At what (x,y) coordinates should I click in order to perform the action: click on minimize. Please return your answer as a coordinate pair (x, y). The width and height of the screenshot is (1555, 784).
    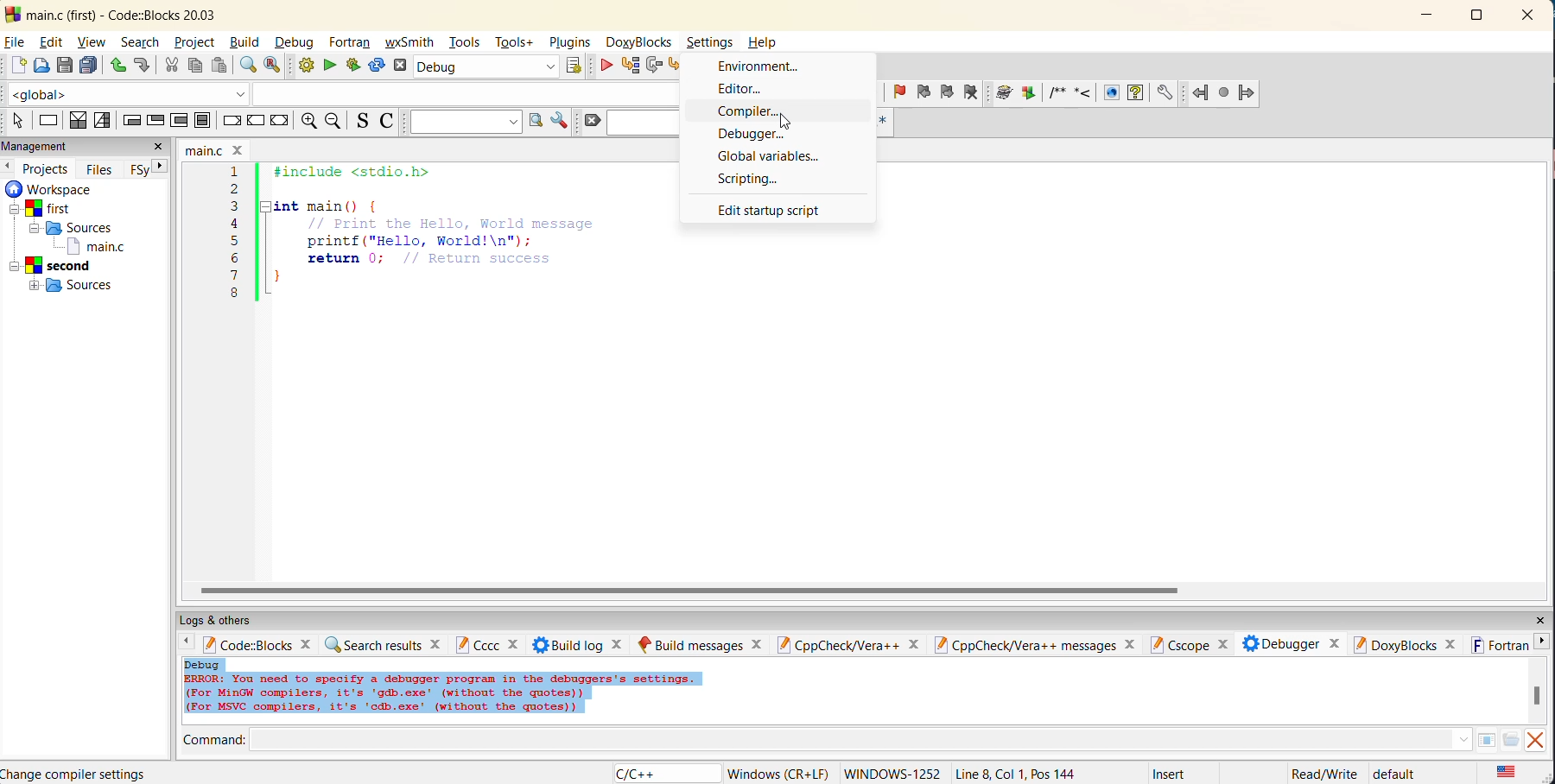
    Looking at the image, I should click on (1428, 17).